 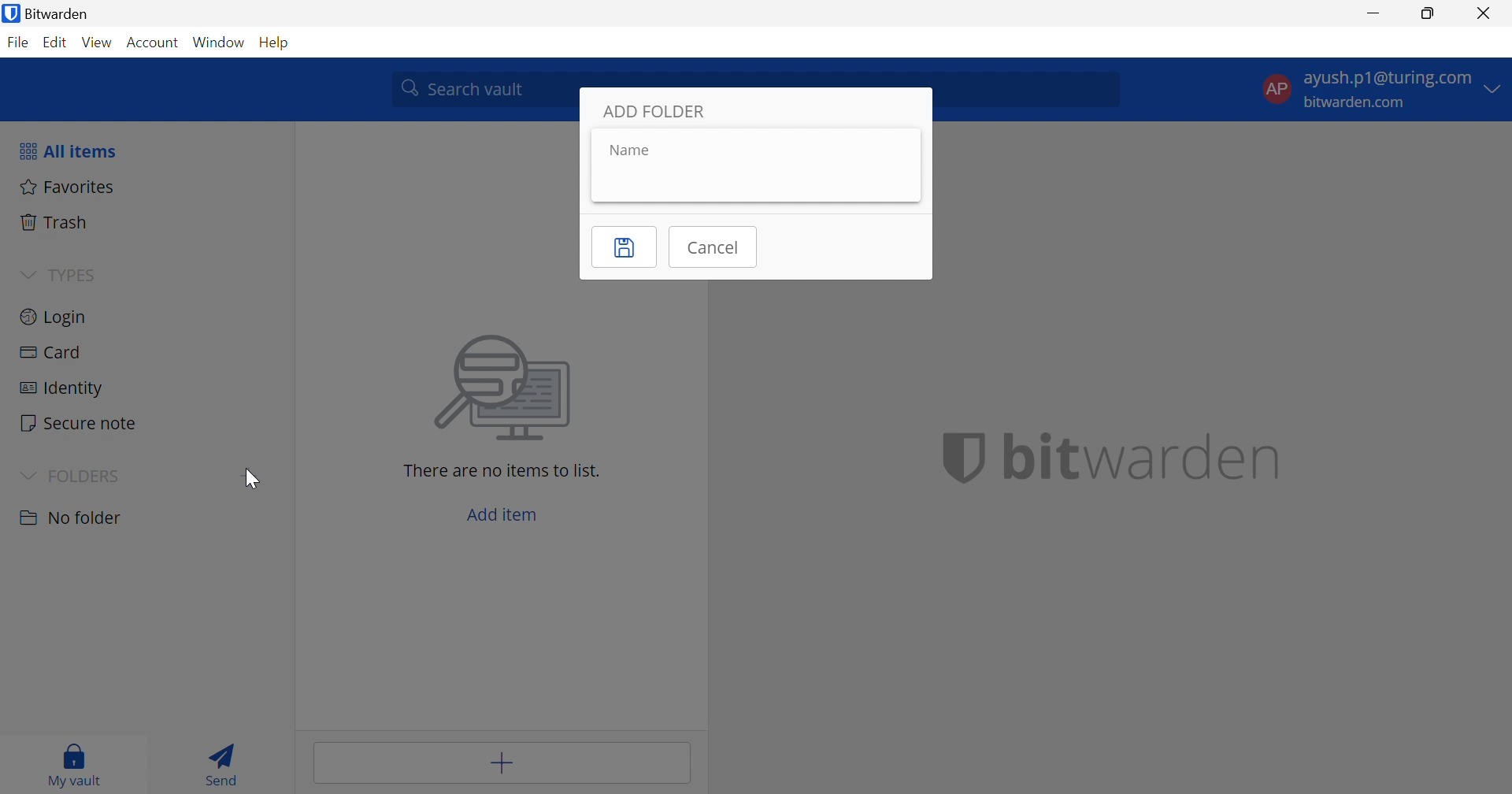 What do you see at coordinates (502, 761) in the screenshot?
I see `Add item` at bounding box center [502, 761].